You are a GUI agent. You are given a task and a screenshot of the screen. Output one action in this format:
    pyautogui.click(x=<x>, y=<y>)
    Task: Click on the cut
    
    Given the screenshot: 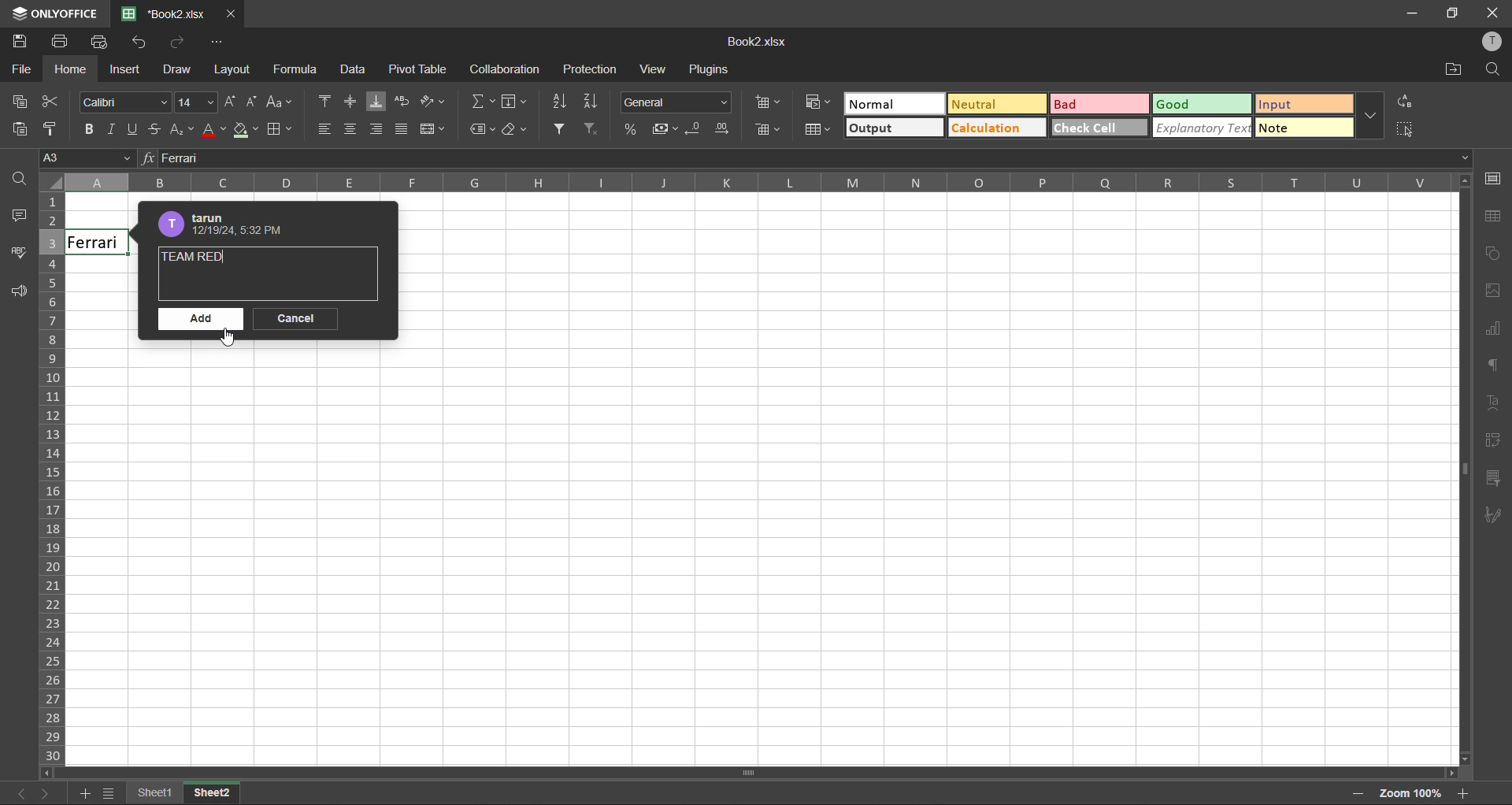 What is the action you would take?
    pyautogui.click(x=54, y=101)
    